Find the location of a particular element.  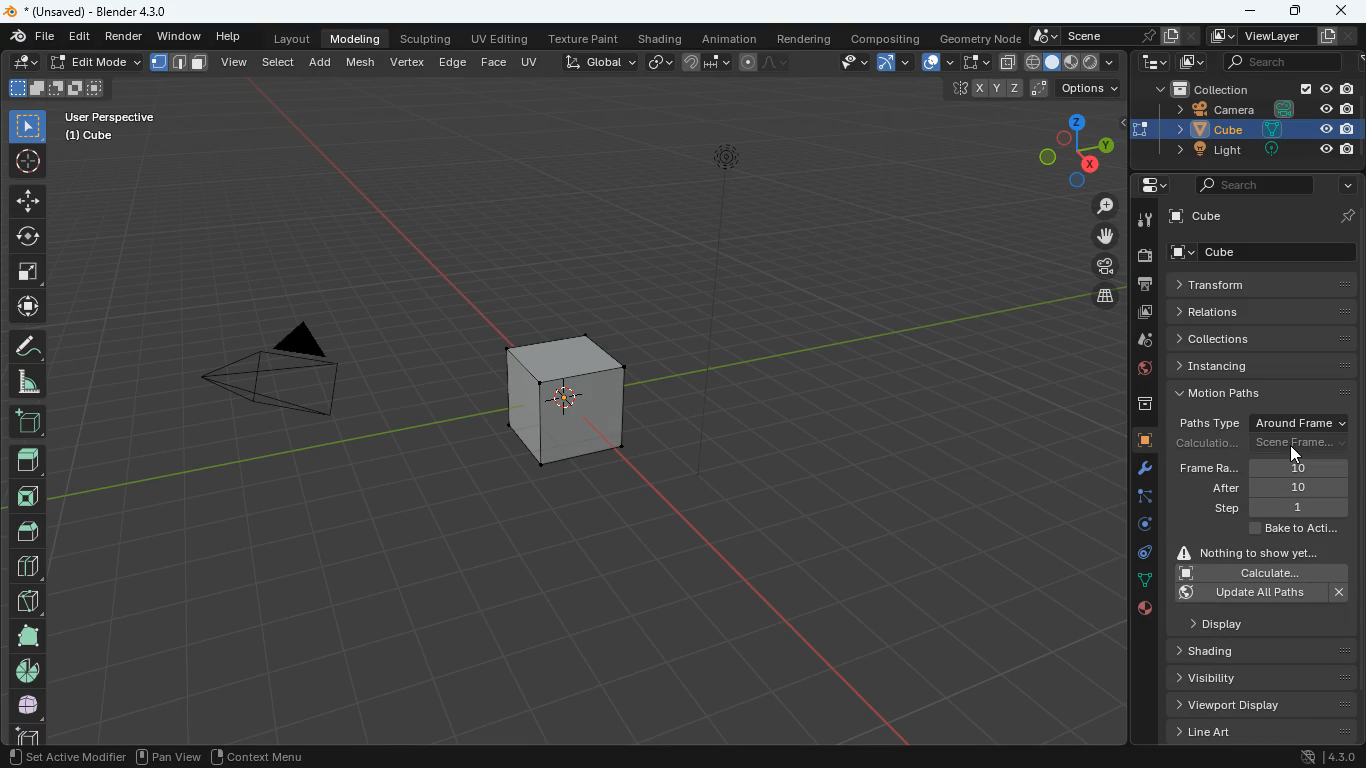

close is located at coordinates (1343, 13).